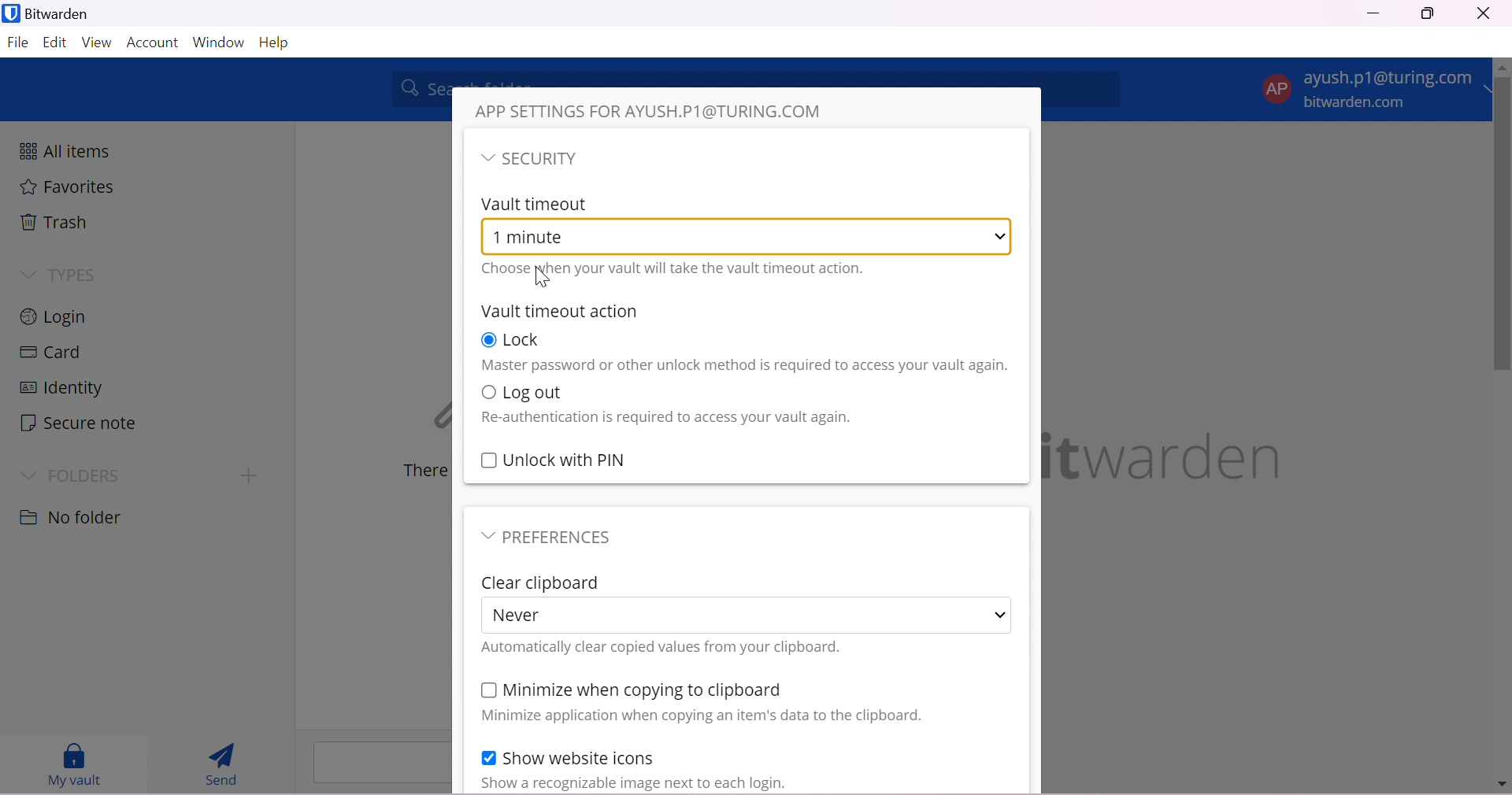  Describe the element at coordinates (487, 340) in the screenshot. I see `Checkbox` at that location.